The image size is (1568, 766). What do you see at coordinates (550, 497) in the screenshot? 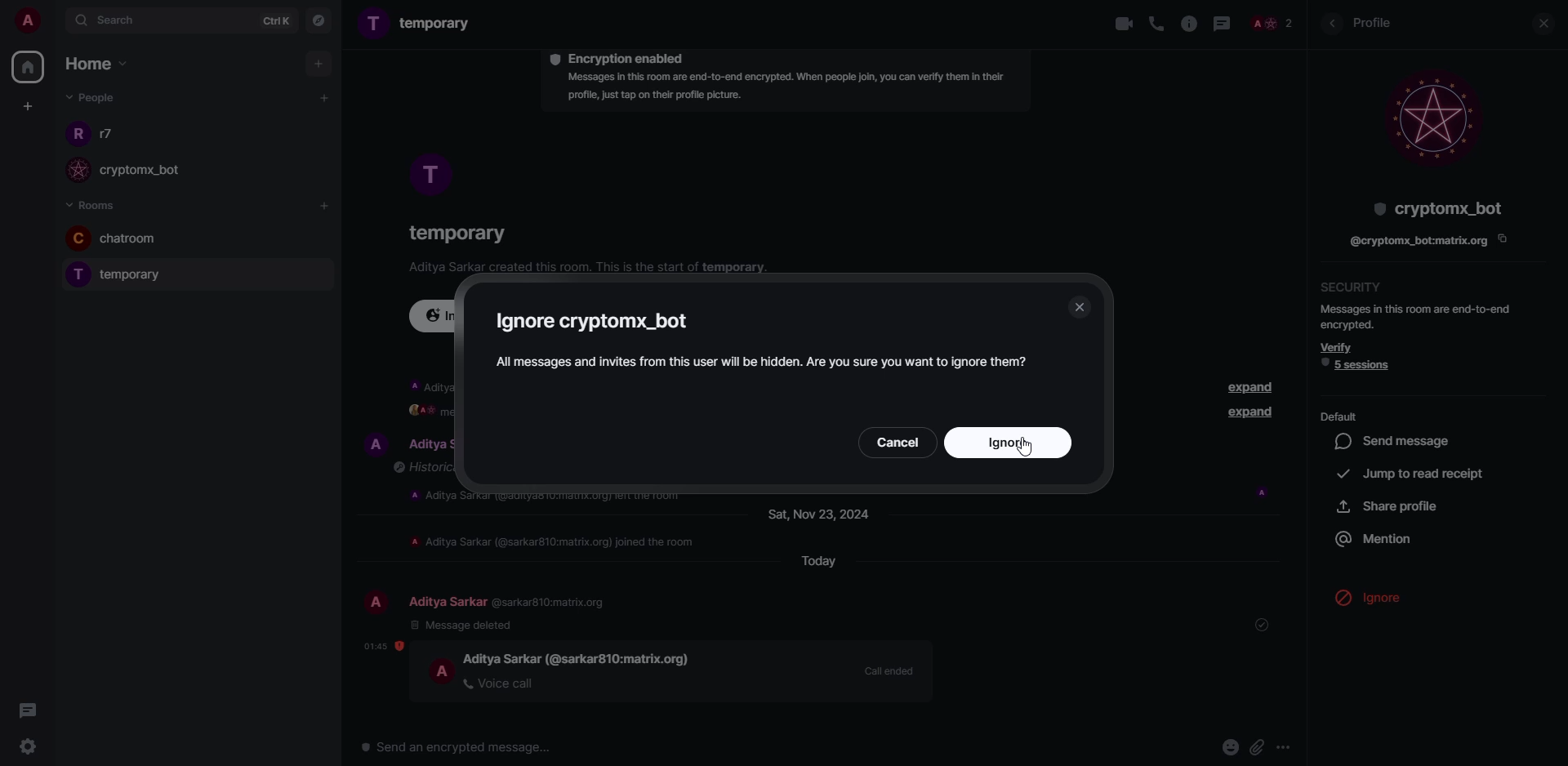
I see `info` at bounding box center [550, 497].